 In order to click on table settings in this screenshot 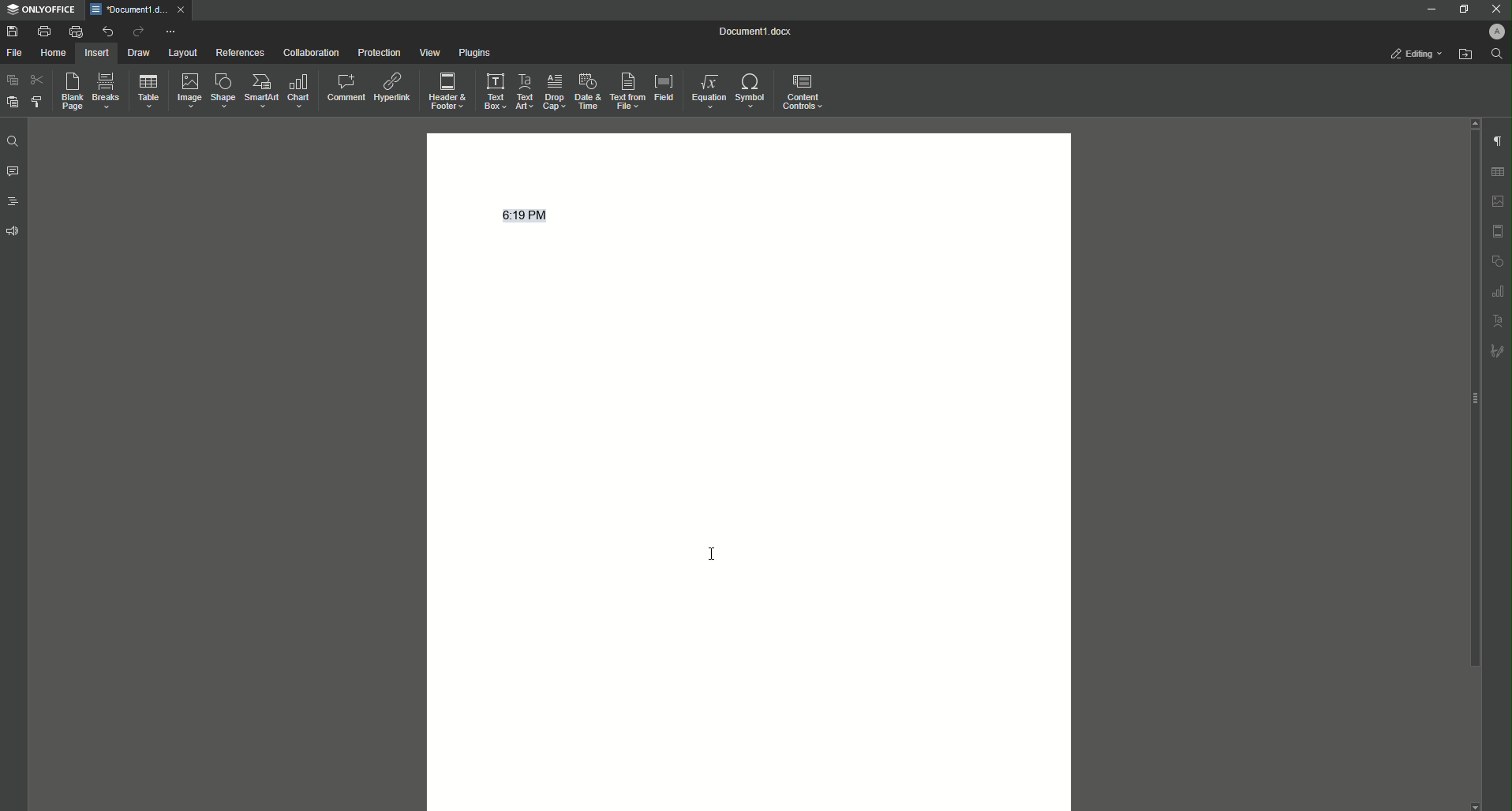, I will do `click(1497, 172)`.